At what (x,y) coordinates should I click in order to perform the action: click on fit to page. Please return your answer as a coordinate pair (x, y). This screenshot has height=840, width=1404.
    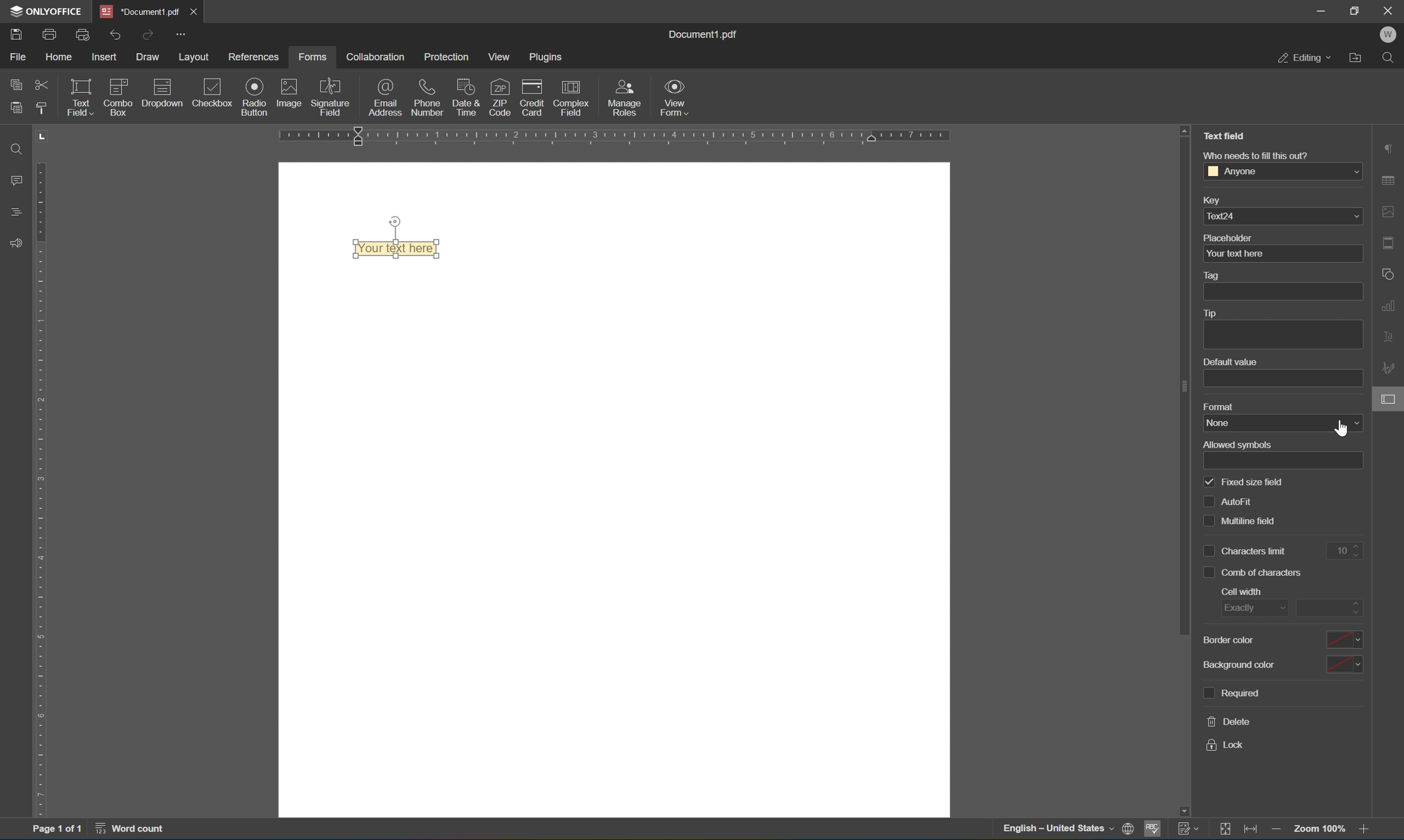
    Looking at the image, I should click on (1225, 829).